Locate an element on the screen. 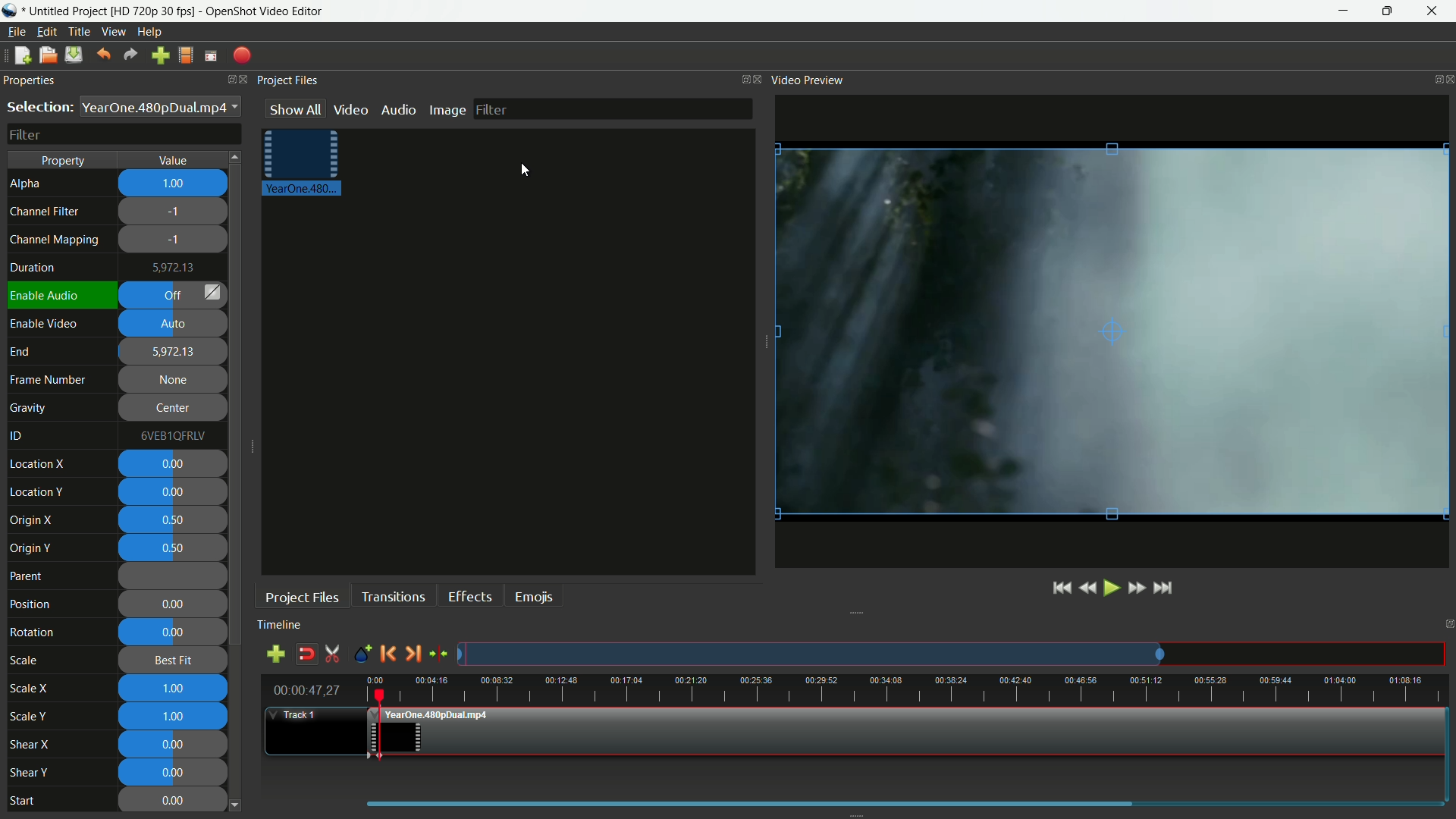 This screenshot has height=819, width=1456. jump to start is located at coordinates (987, 589).